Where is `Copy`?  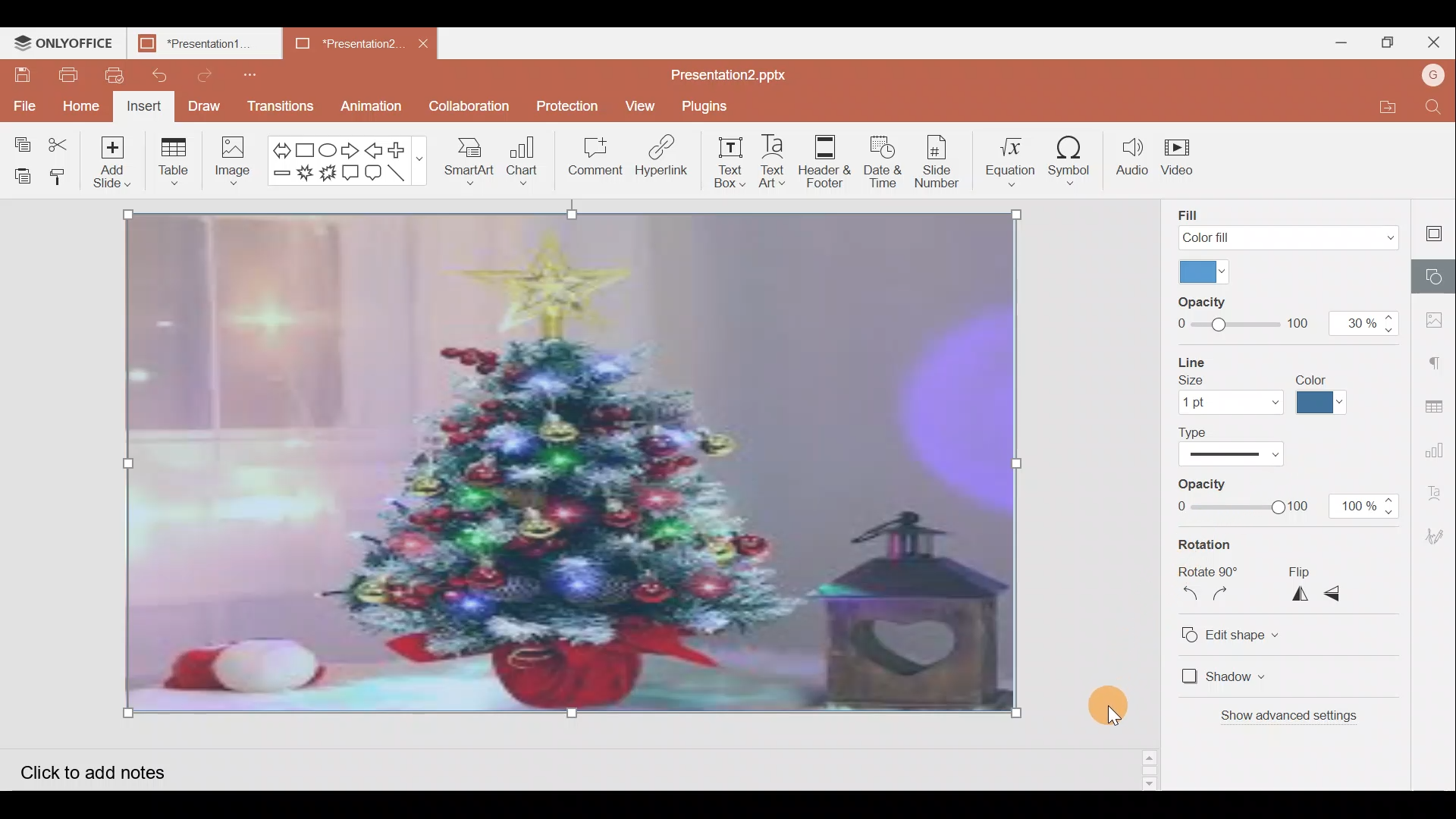
Copy is located at coordinates (21, 137).